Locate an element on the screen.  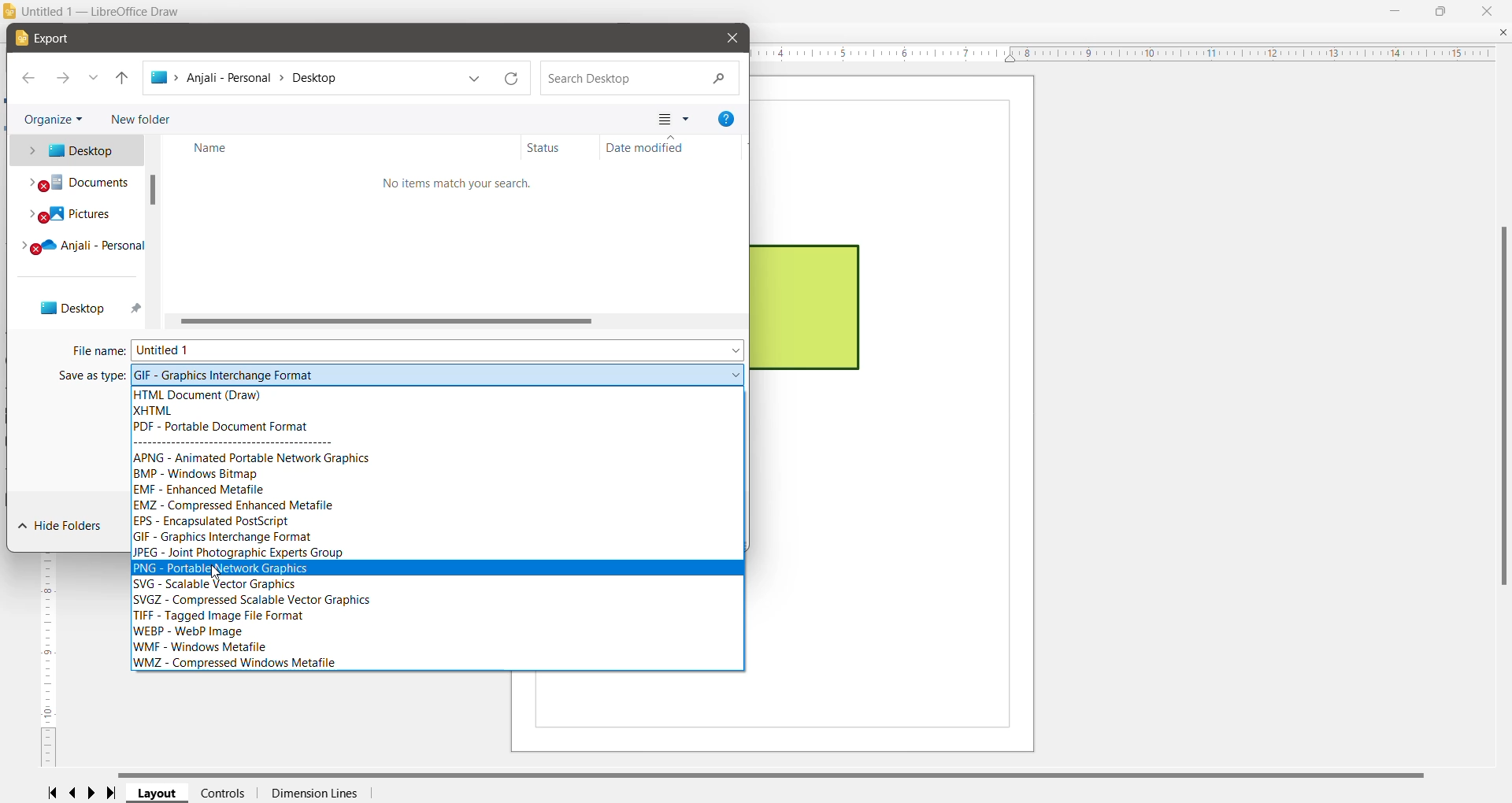
Forward is located at coordinates (63, 80).